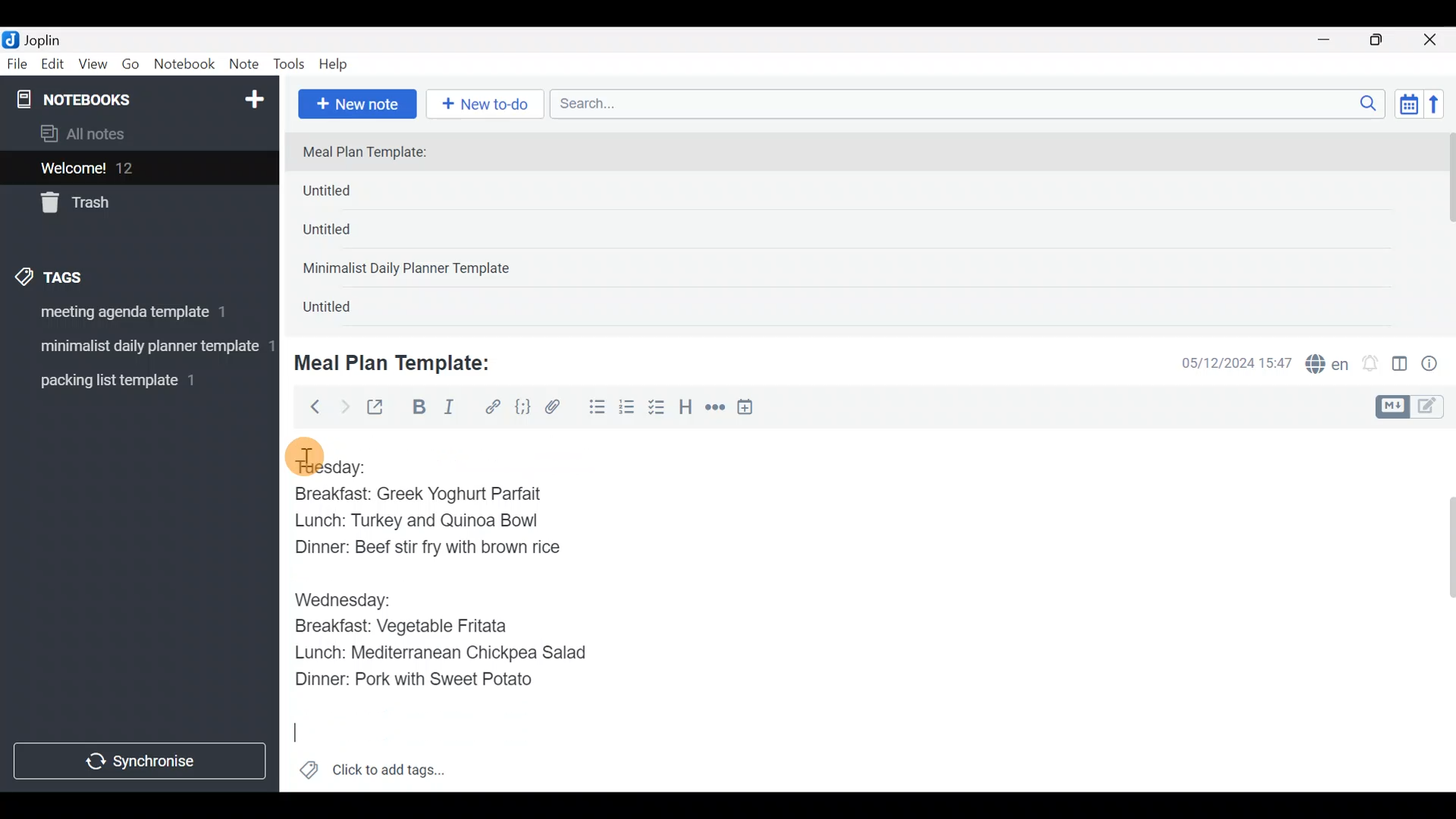 This screenshot has height=819, width=1456. What do you see at coordinates (293, 737) in the screenshot?
I see `text Cursor` at bounding box center [293, 737].